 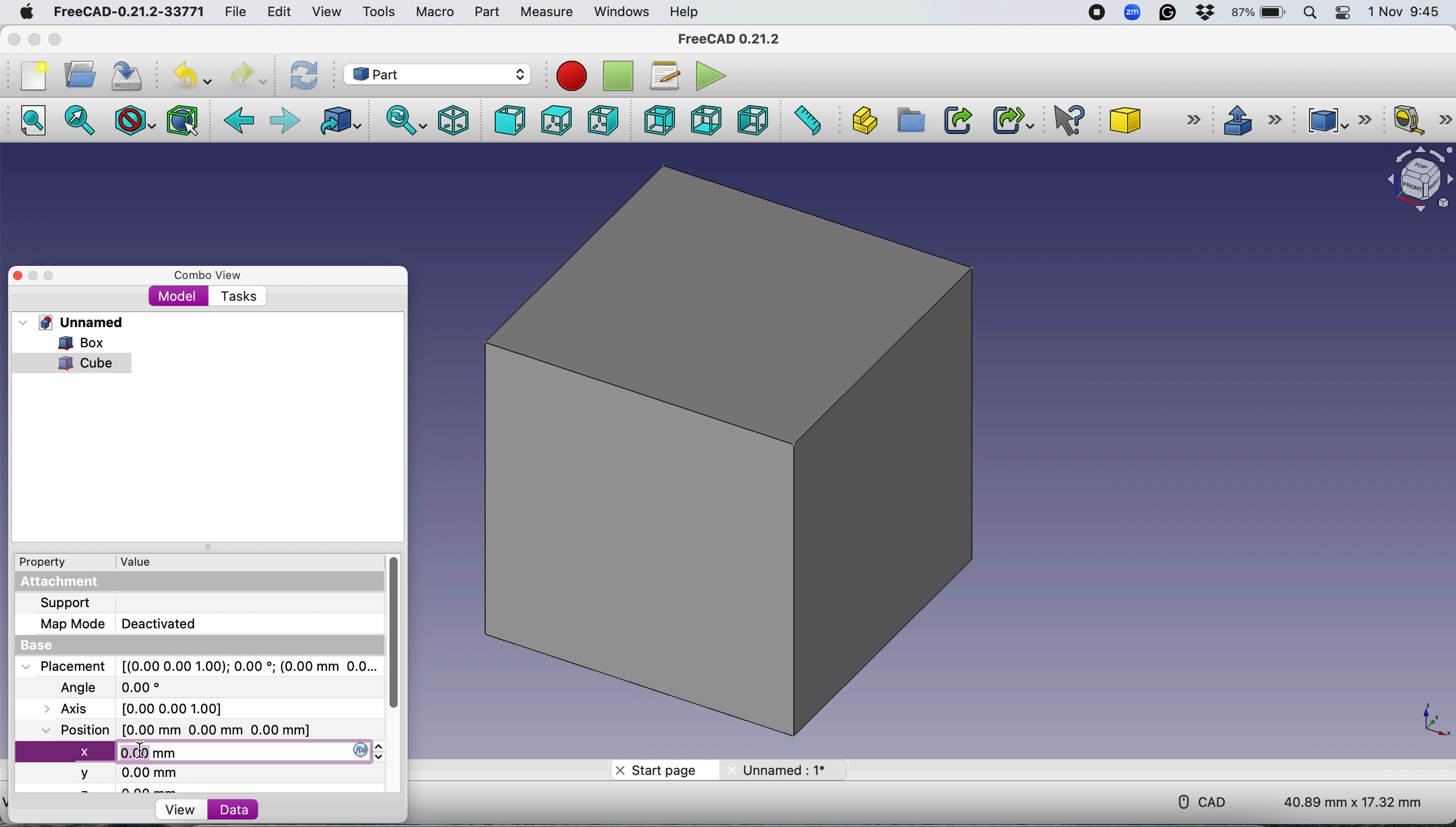 I want to click on Unnamed, so click(x=84, y=322).